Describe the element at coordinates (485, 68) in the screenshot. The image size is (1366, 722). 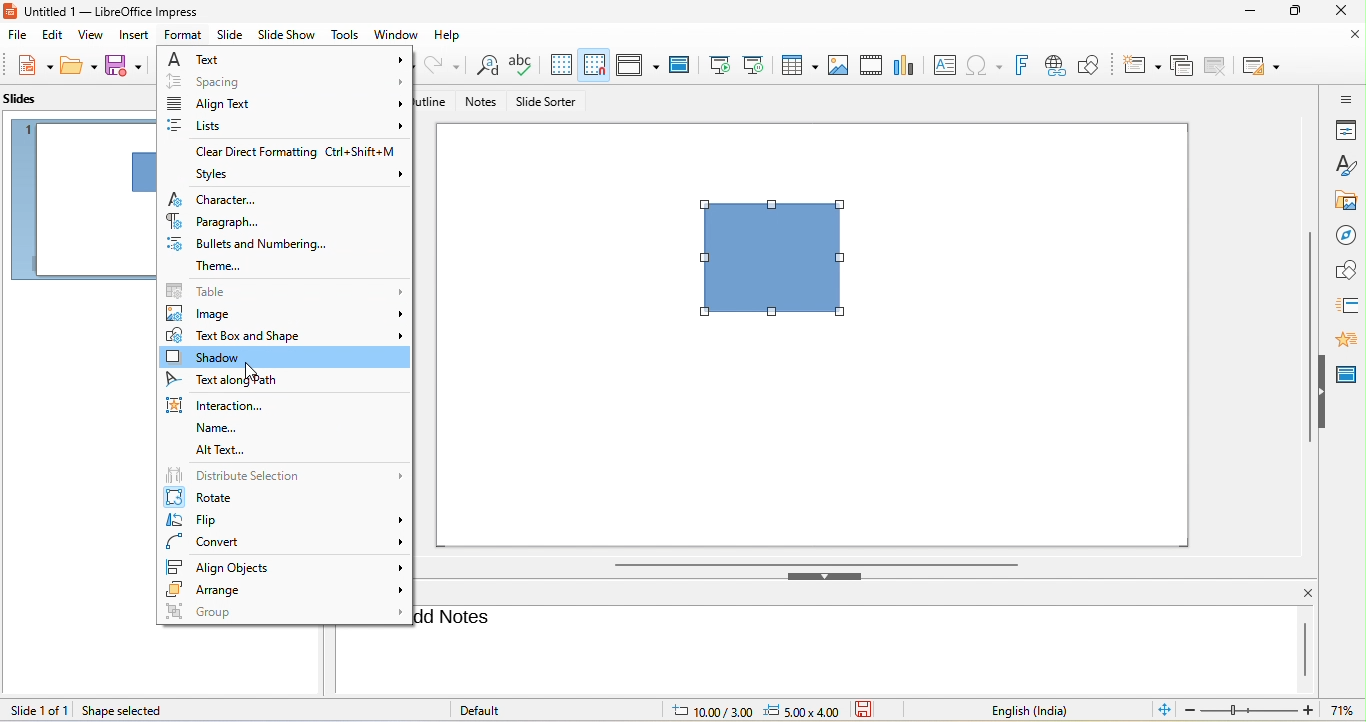
I see `find and replace` at that location.